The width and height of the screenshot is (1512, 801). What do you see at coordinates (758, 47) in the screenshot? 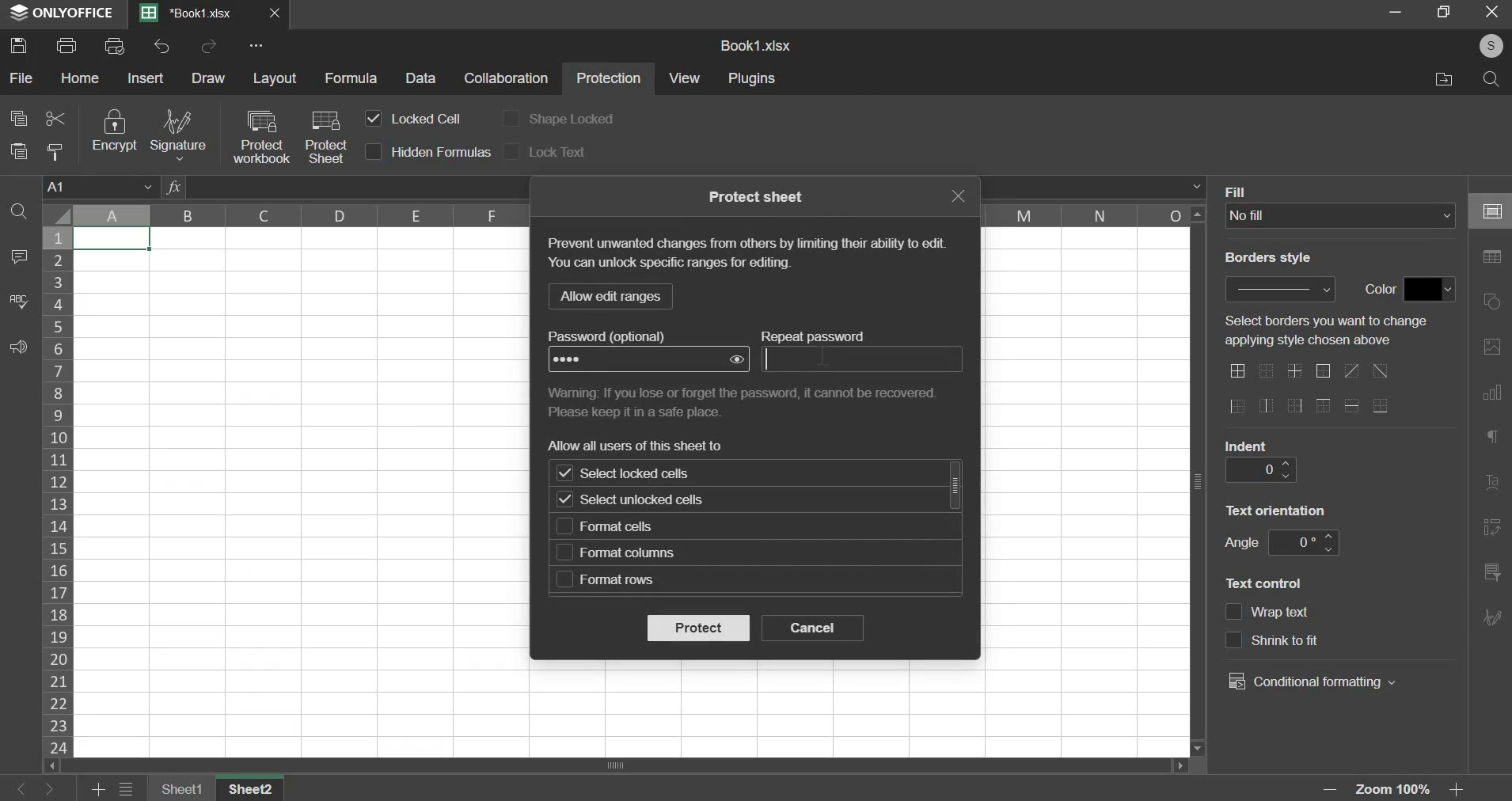
I see `Book1.xlsx` at bounding box center [758, 47].